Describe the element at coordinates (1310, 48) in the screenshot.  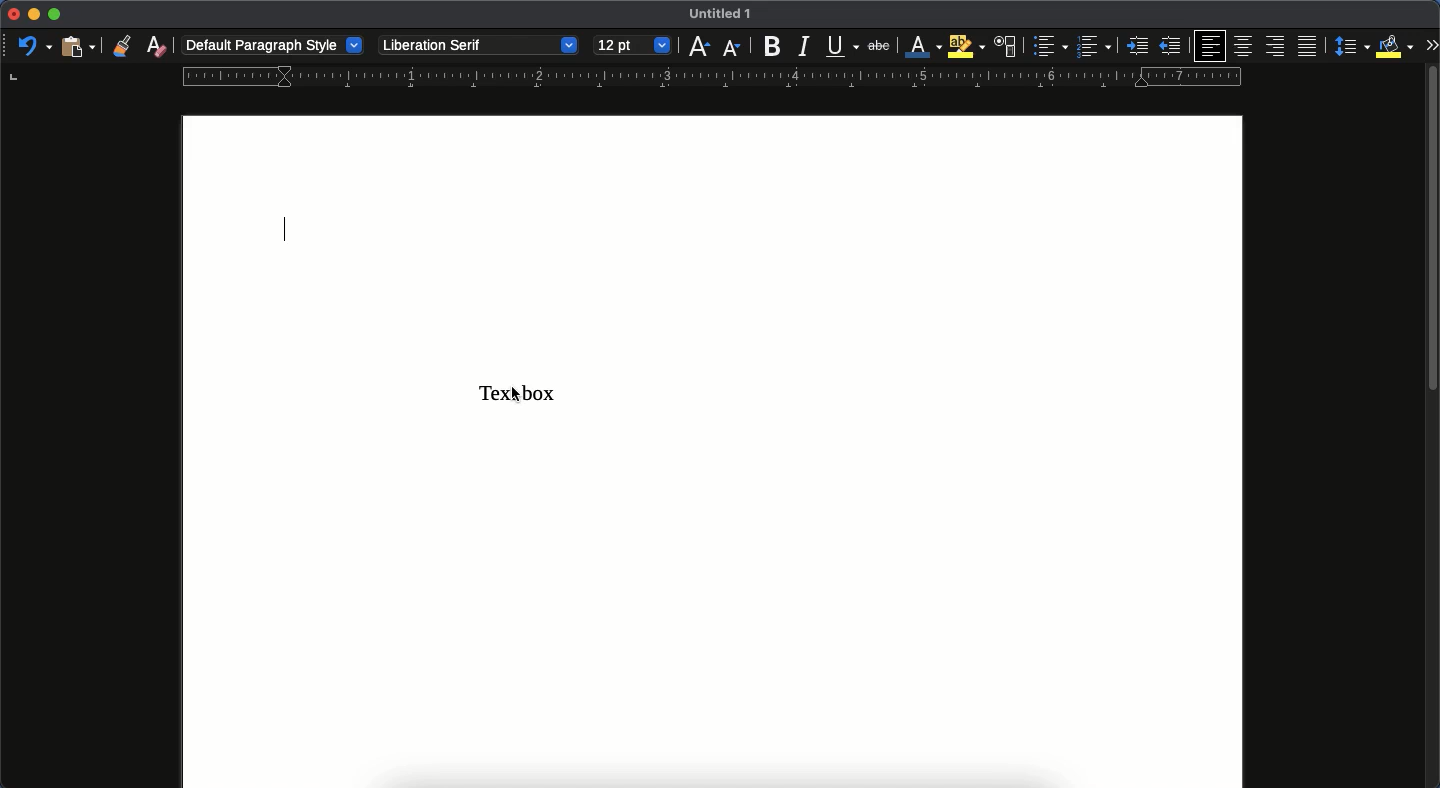
I see `justify` at that location.